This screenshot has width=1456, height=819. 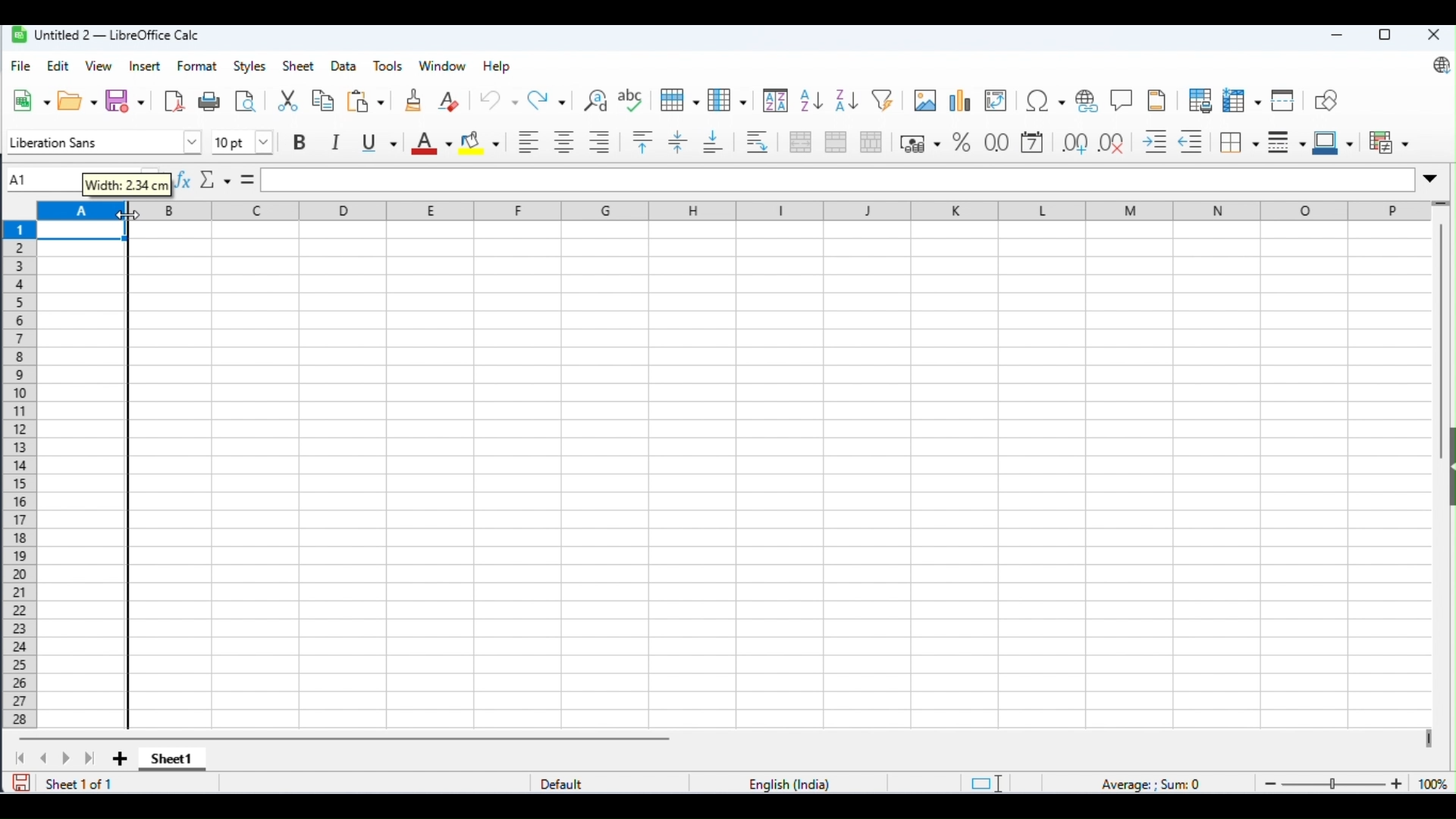 I want to click on sort descending, so click(x=847, y=101).